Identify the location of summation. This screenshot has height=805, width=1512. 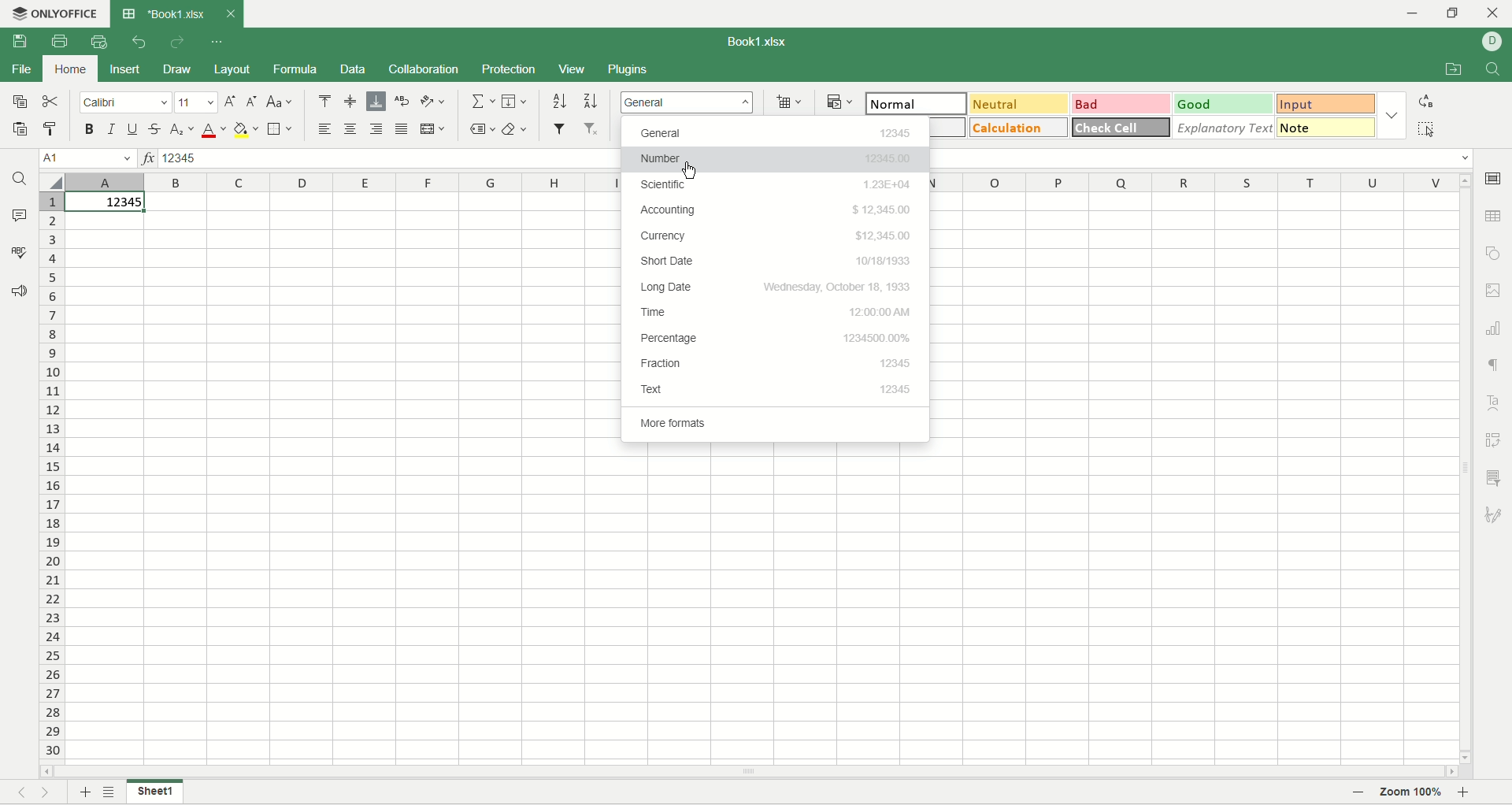
(484, 102).